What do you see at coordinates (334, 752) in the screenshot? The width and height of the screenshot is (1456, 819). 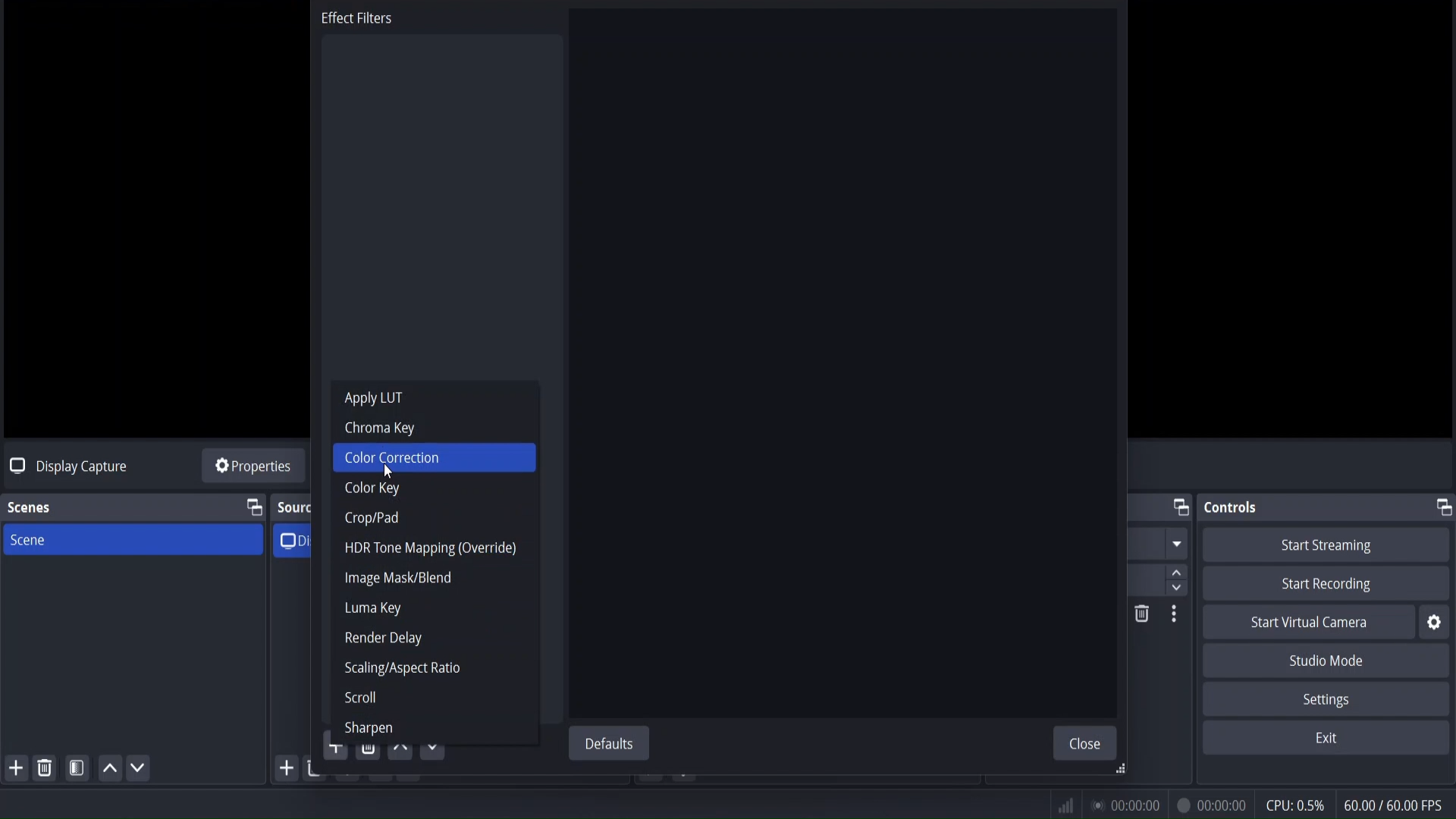 I see `add effect filter` at bounding box center [334, 752].